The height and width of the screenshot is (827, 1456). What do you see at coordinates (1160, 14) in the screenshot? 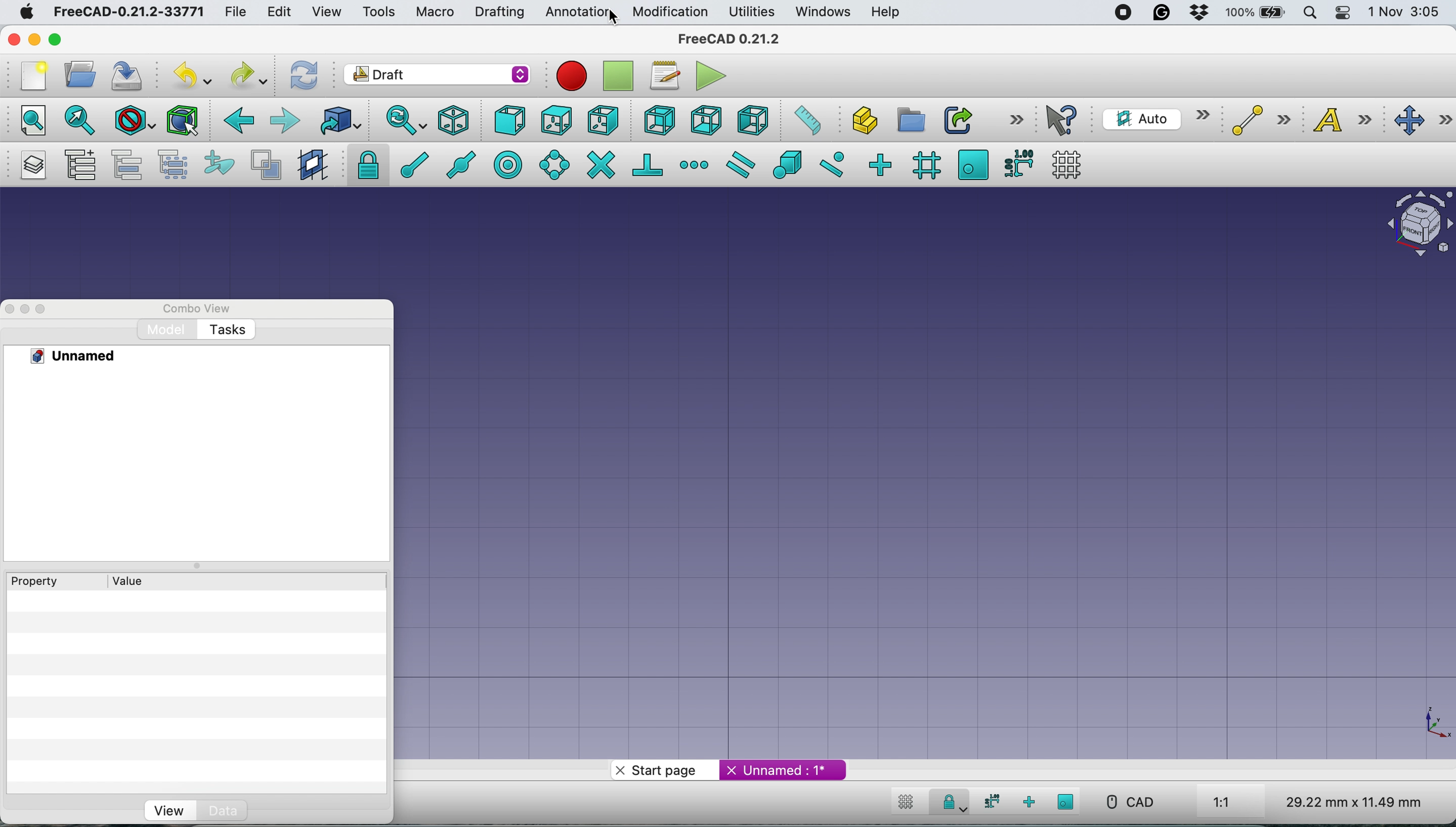
I see `grammarly` at bounding box center [1160, 14].